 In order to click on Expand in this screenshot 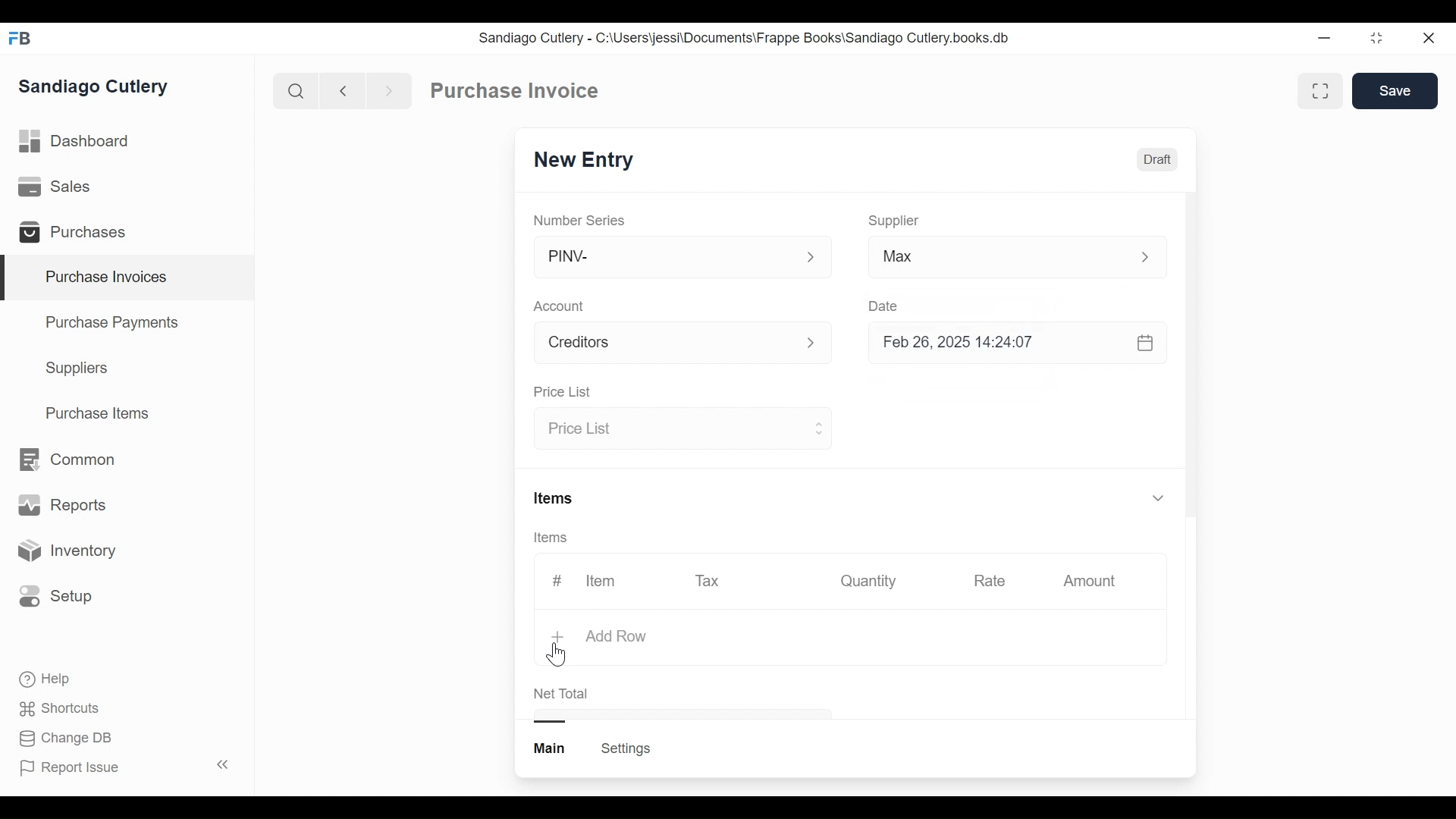, I will do `click(1157, 497)`.